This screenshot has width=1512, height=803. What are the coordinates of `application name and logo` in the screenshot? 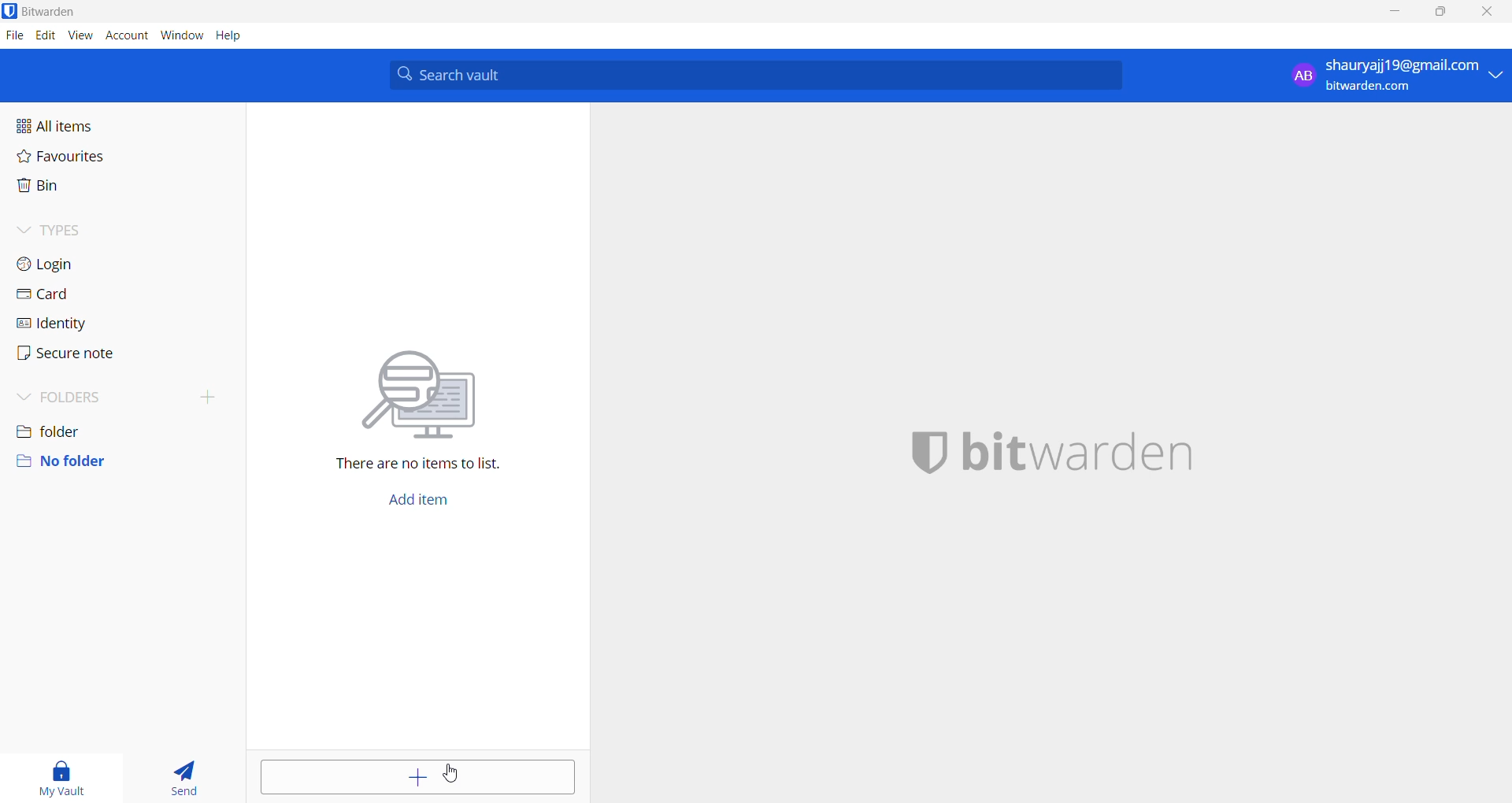 It's located at (58, 13).